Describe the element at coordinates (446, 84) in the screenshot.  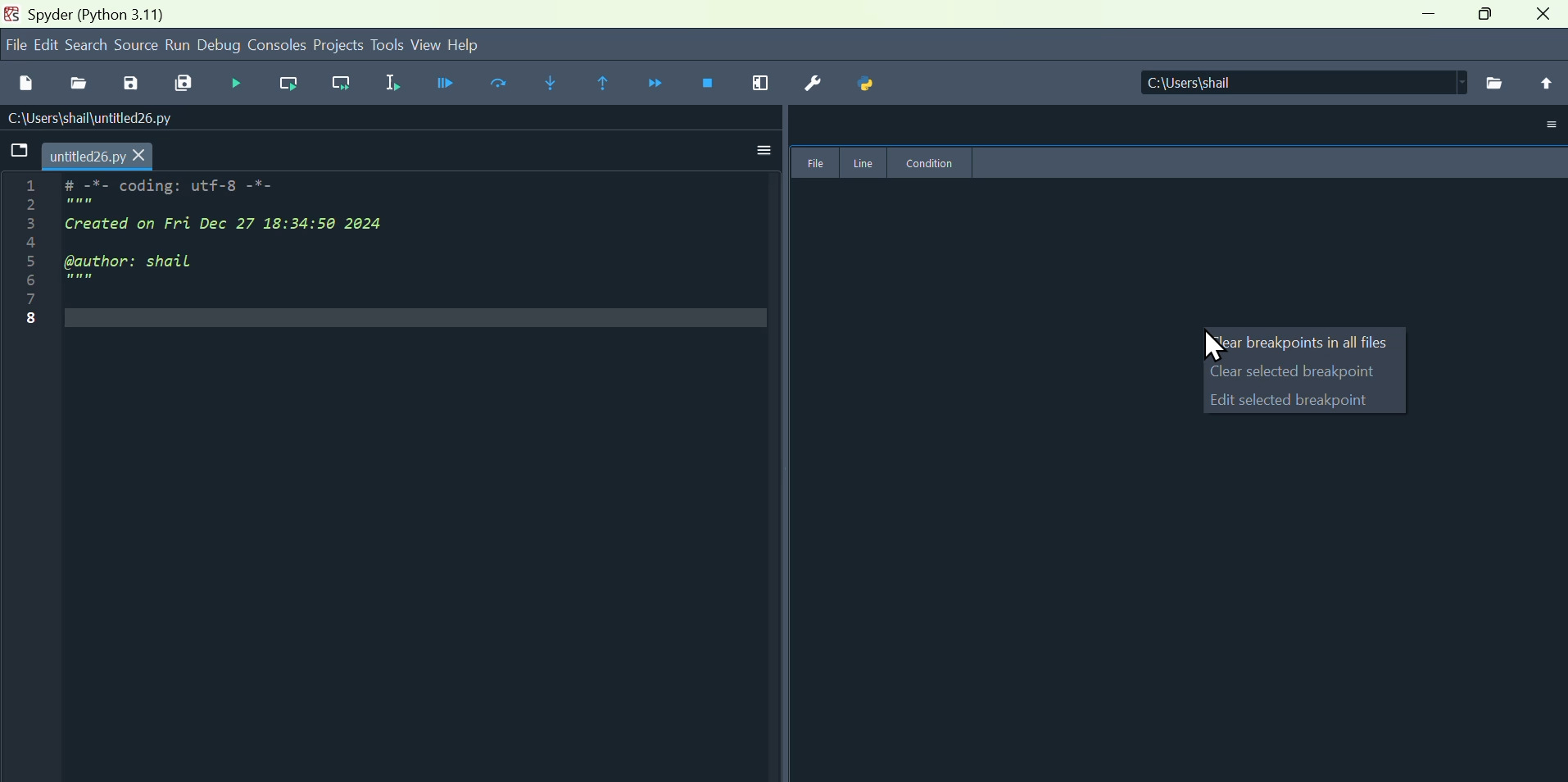
I see `Debug file` at that location.